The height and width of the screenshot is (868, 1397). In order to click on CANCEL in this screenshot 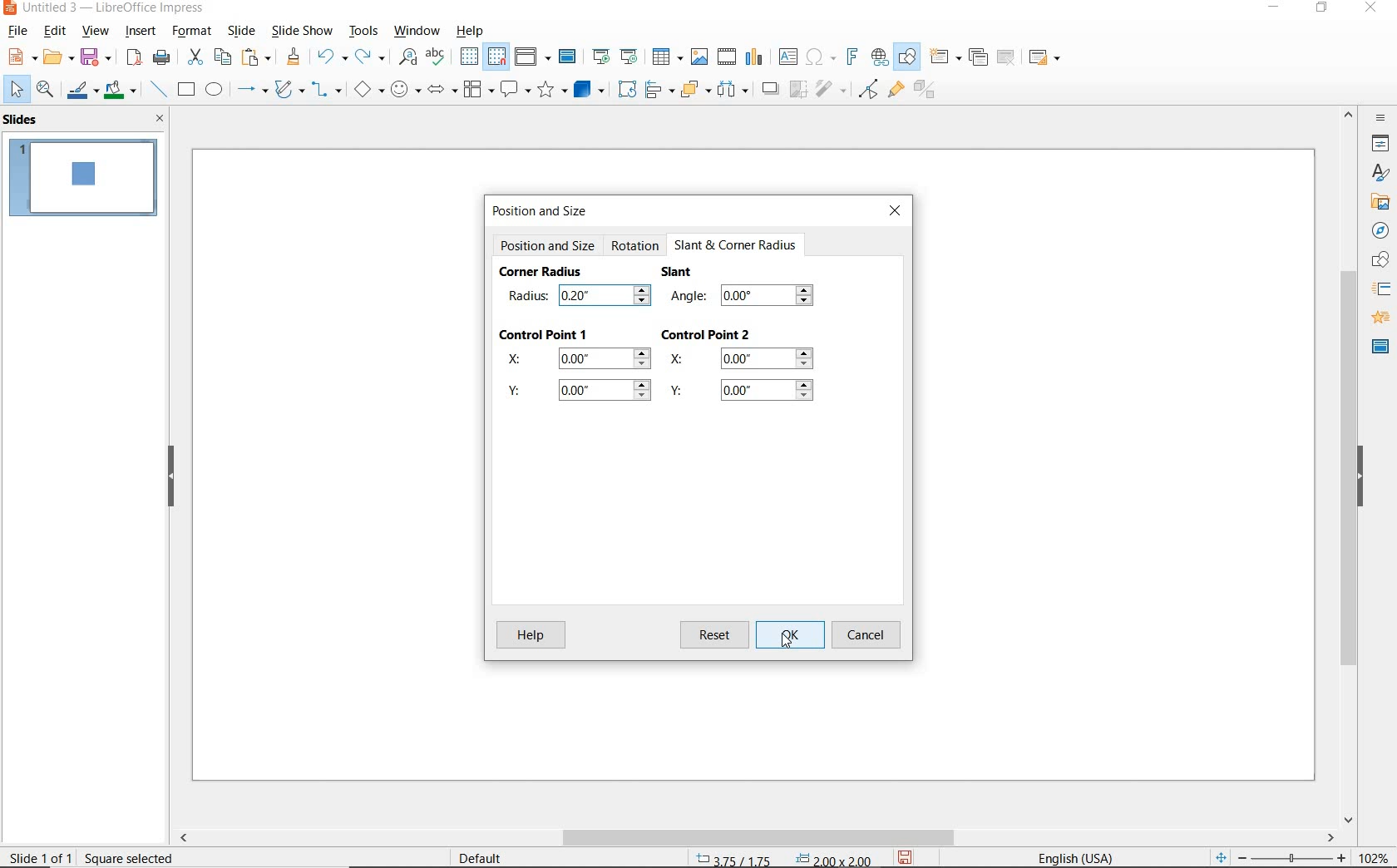, I will do `click(869, 635)`.